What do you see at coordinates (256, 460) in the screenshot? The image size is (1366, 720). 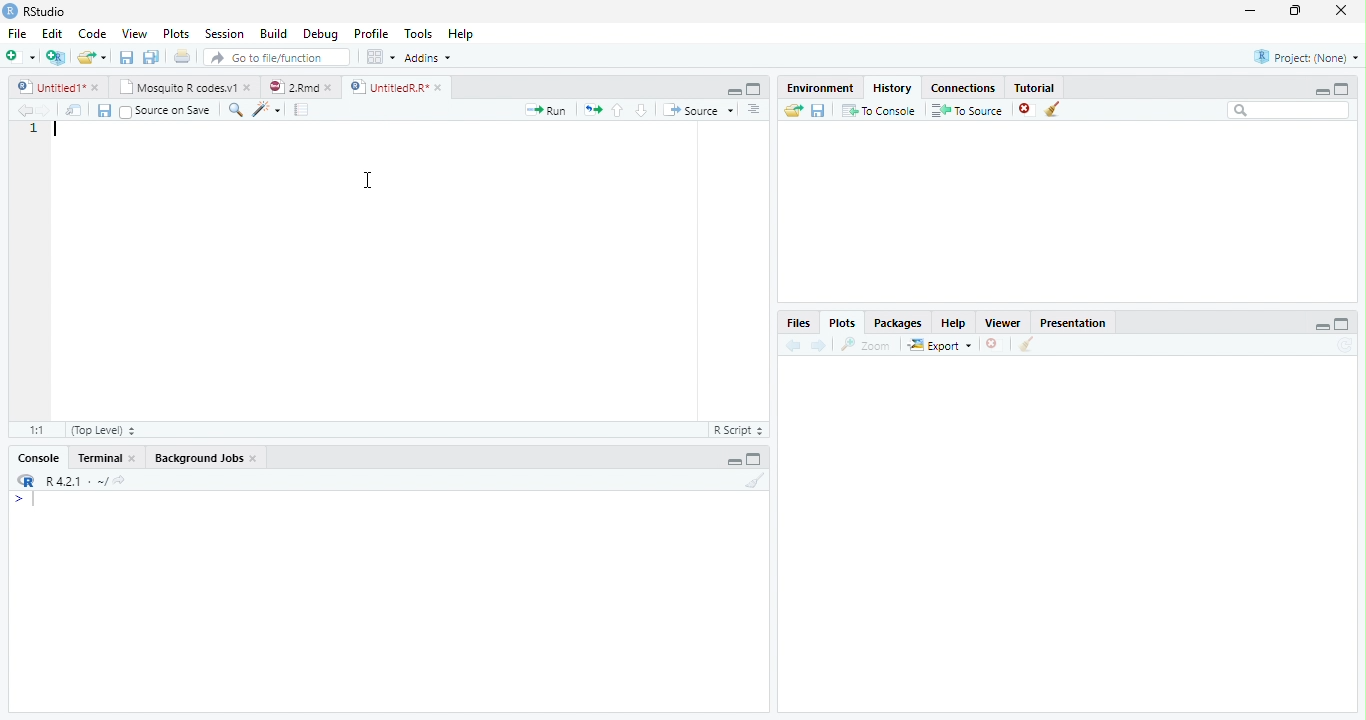 I see `close` at bounding box center [256, 460].